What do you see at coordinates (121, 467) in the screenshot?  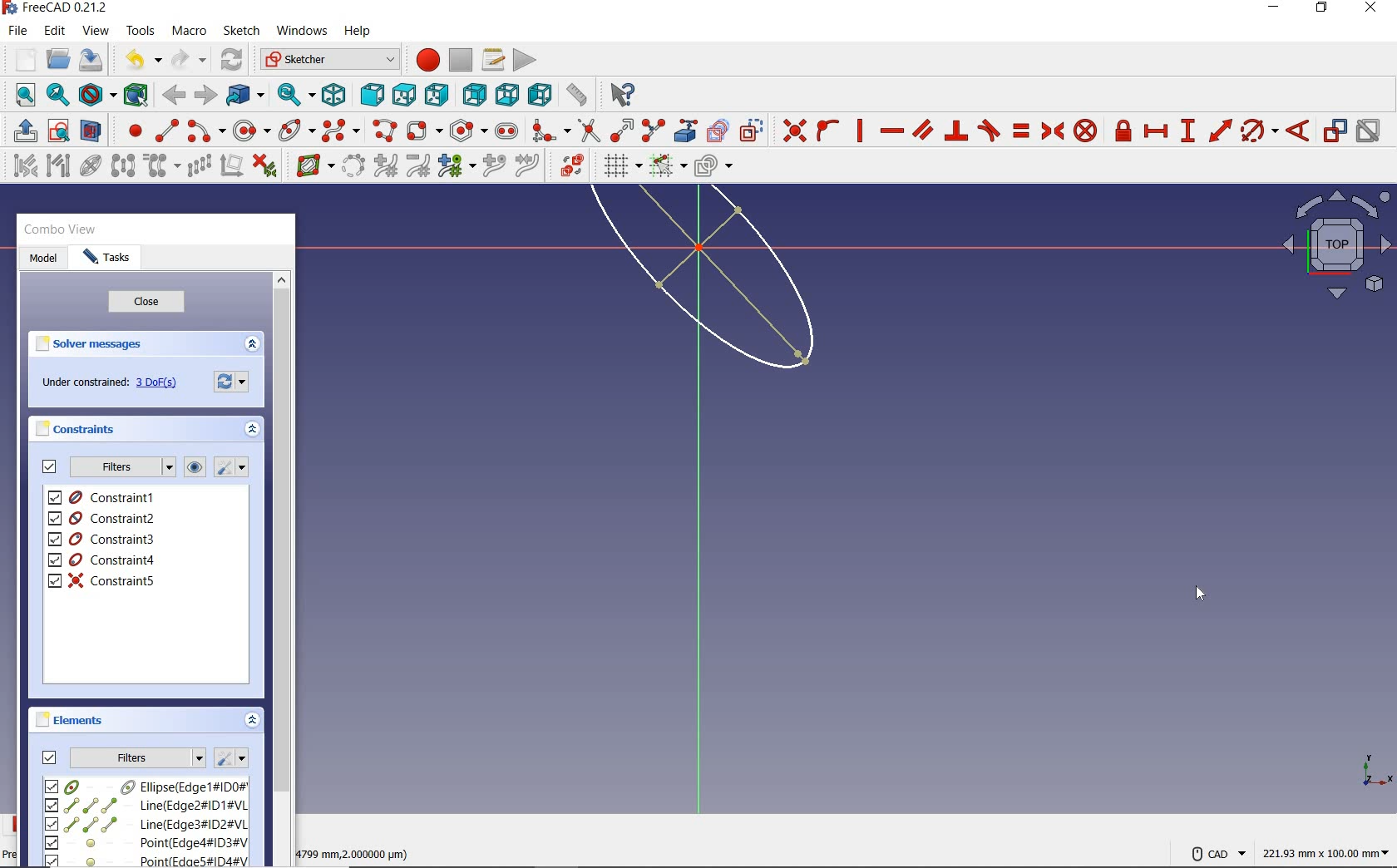 I see `filters` at bounding box center [121, 467].